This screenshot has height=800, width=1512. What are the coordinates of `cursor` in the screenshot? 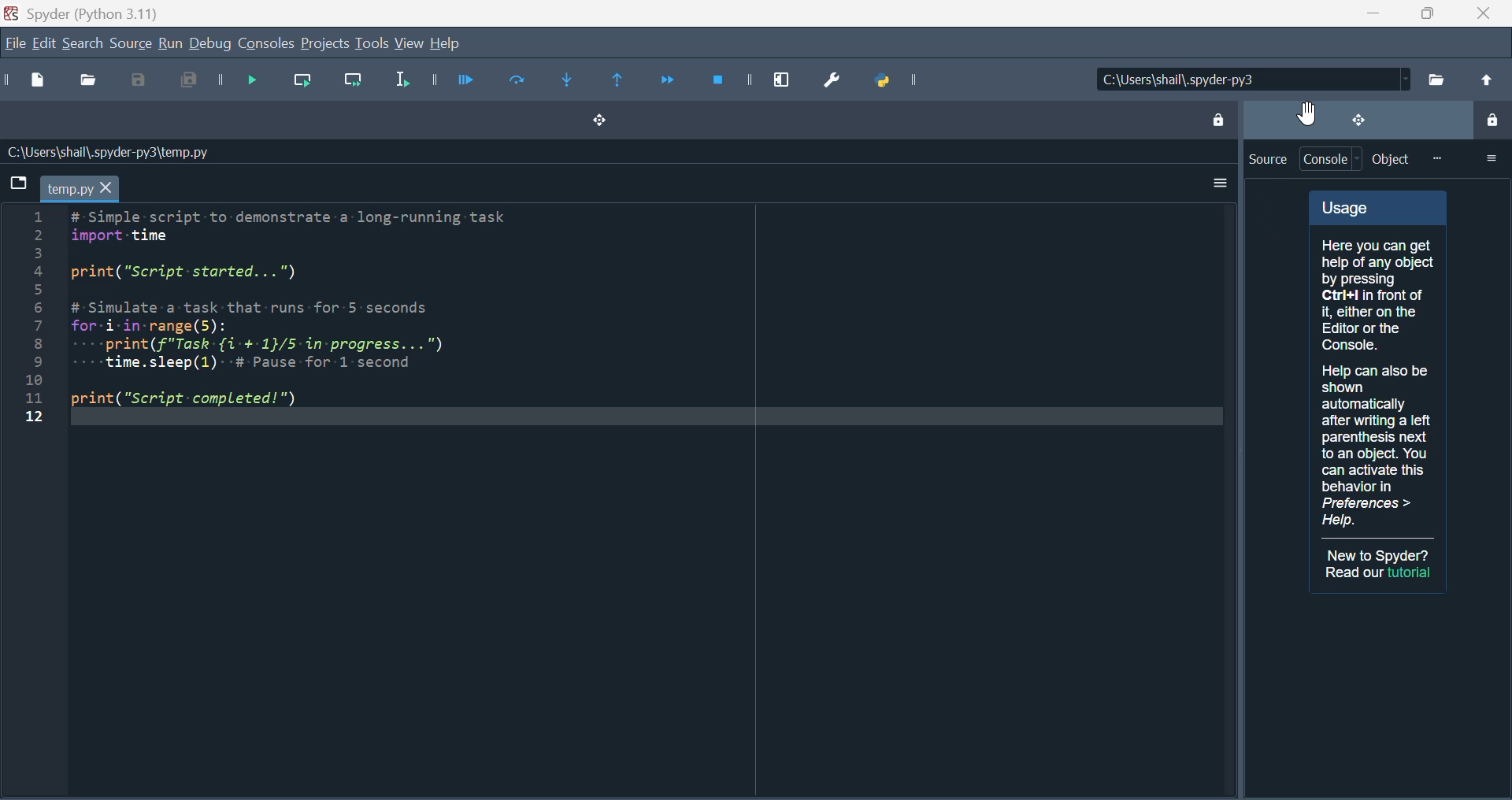 It's located at (1306, 113).